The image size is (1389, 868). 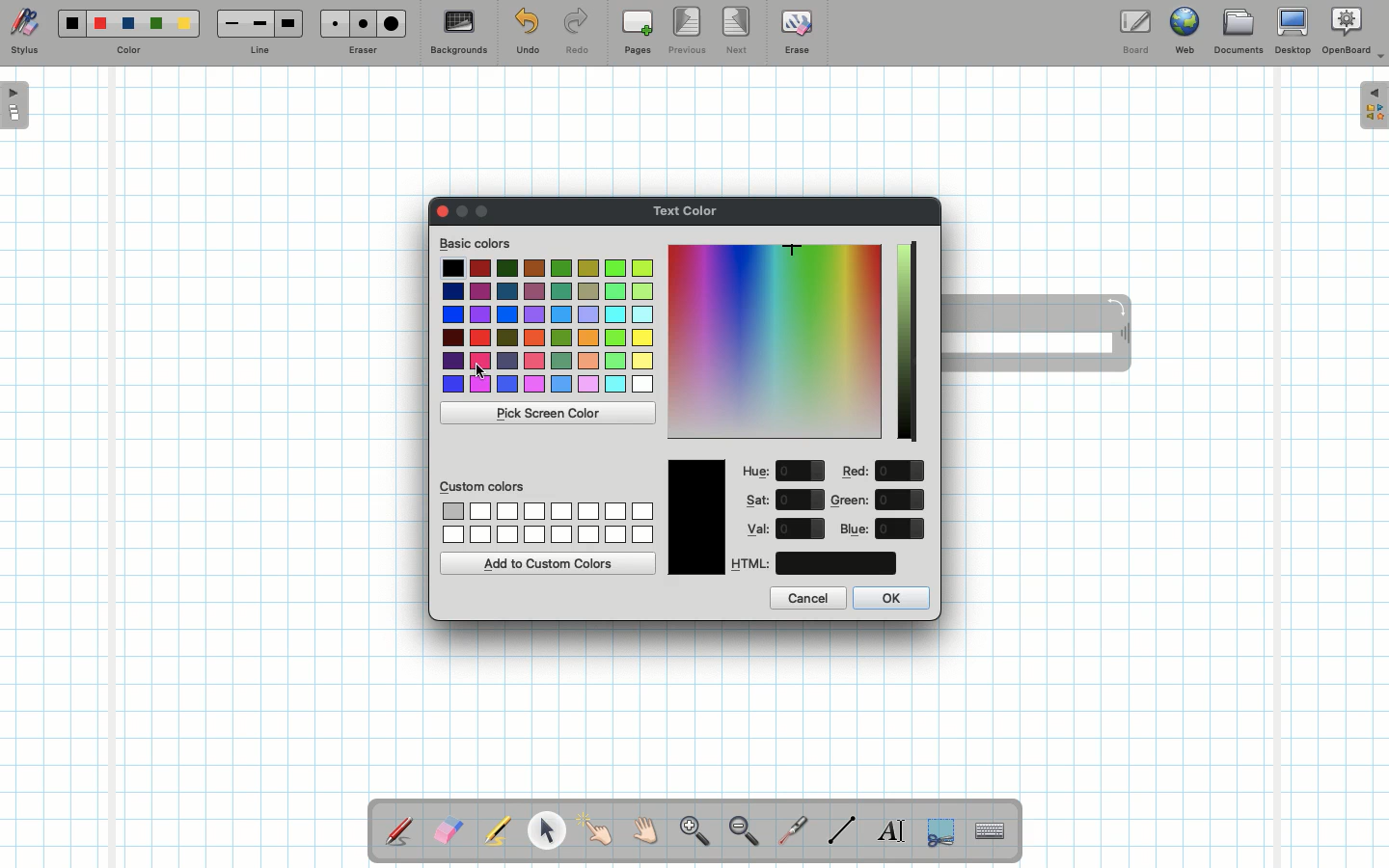 I want to click on value, so click(x=801, y=529).